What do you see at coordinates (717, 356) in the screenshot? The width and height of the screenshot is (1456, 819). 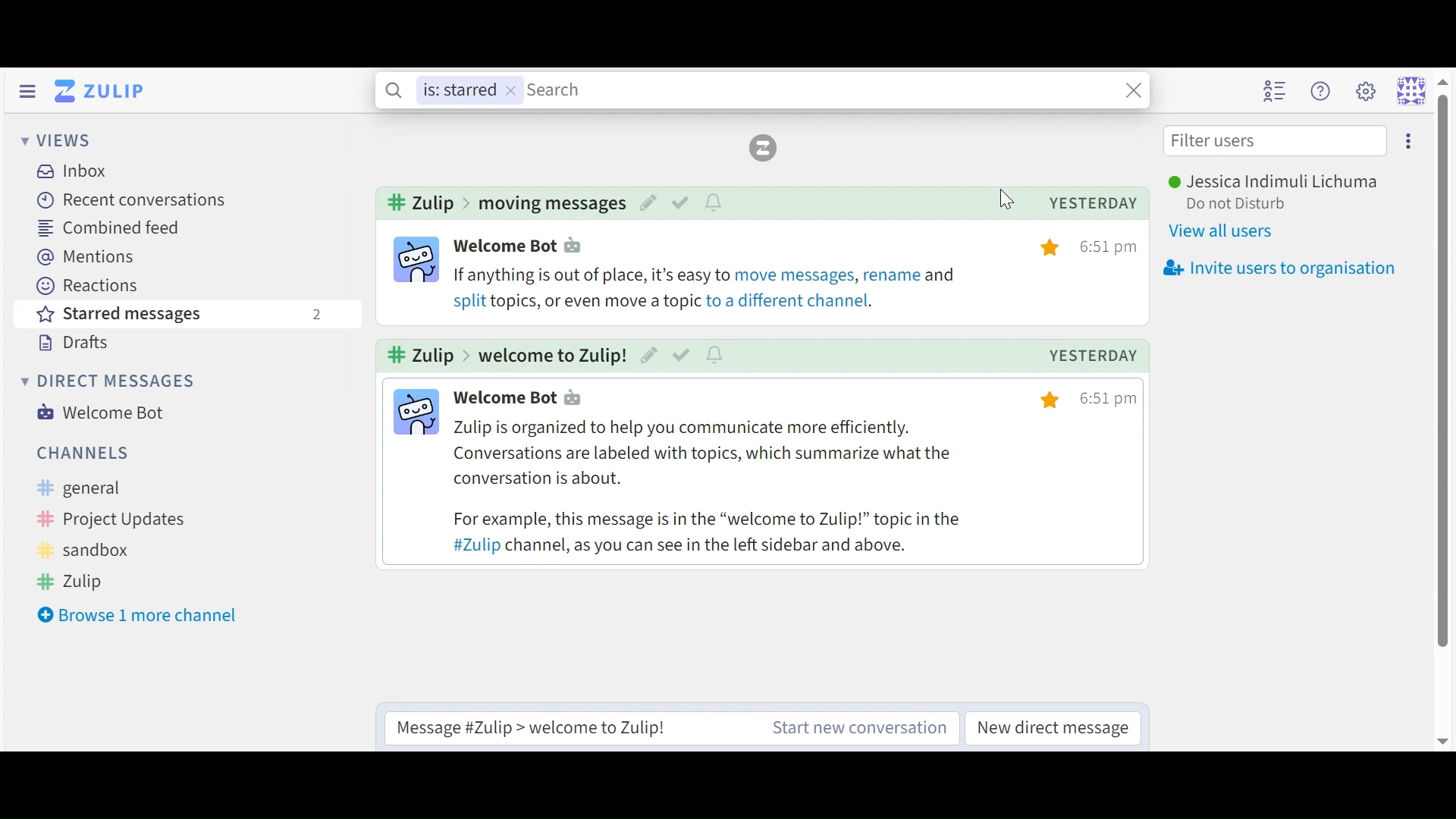 I see `notify` at bounding box center [717, 356].